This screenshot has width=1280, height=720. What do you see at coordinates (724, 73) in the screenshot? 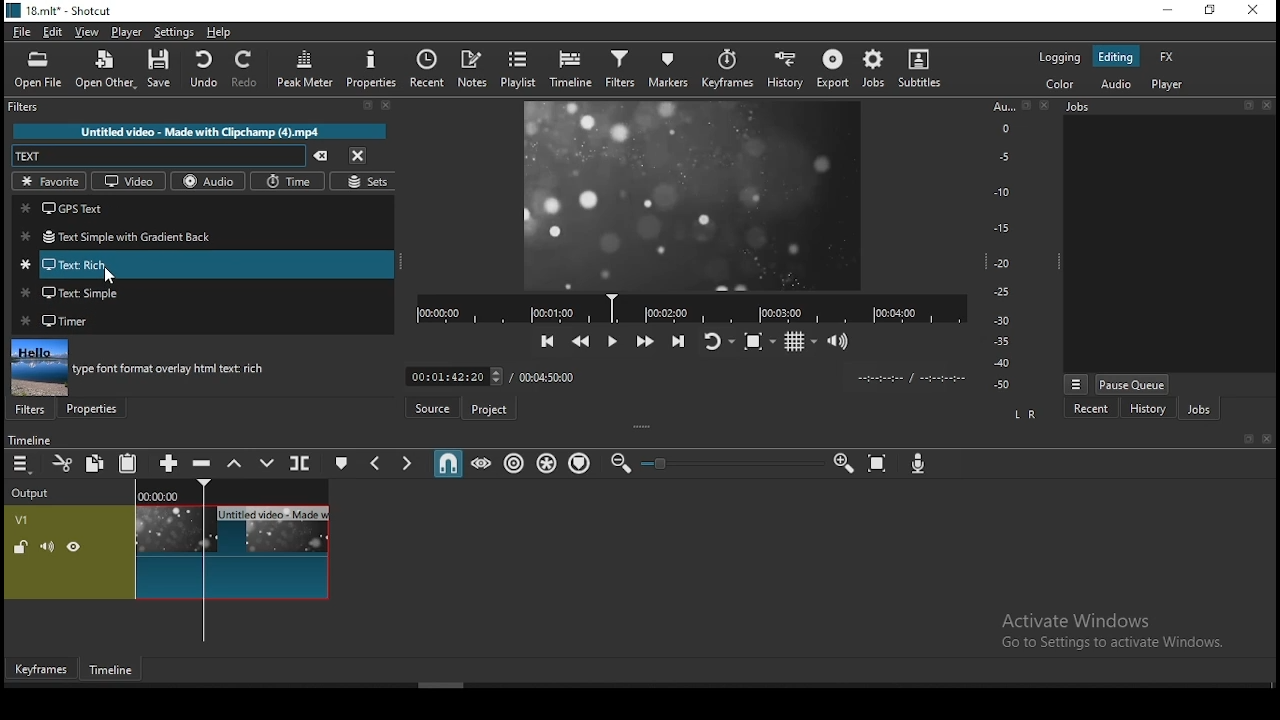
I see `keyframes` at bounding box center [724, 73].